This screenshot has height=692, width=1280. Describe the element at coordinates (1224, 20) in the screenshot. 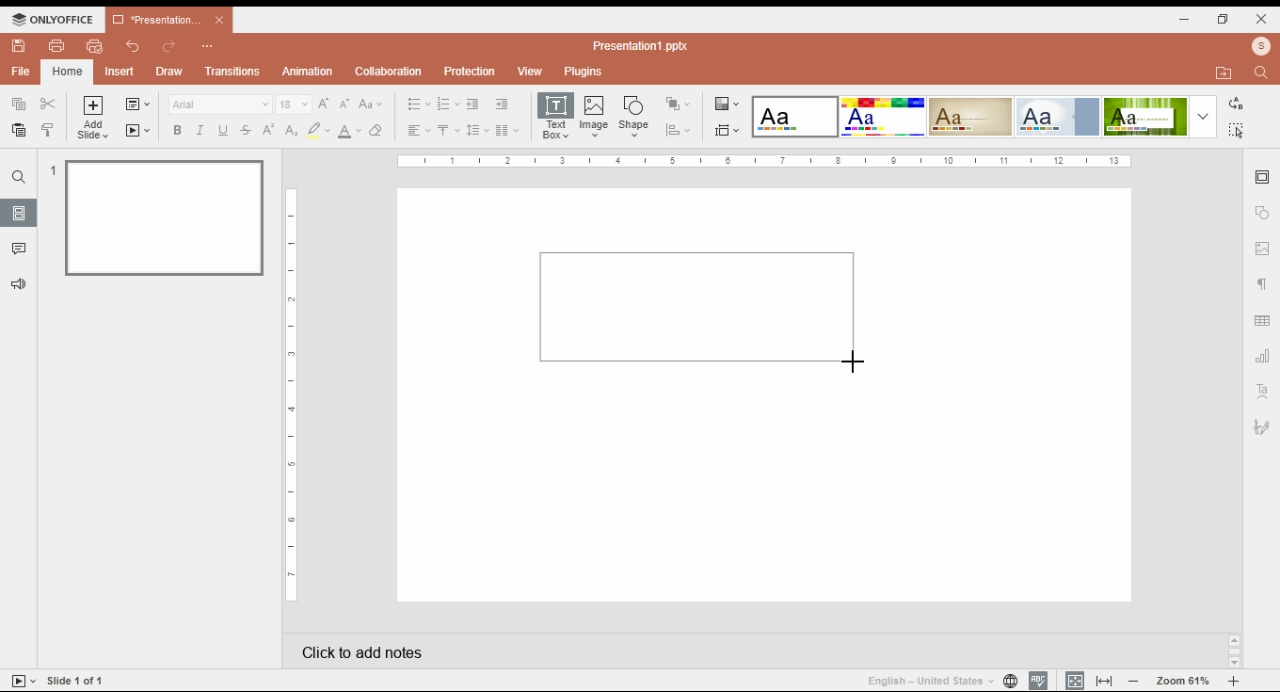

I see `restore` at that location.